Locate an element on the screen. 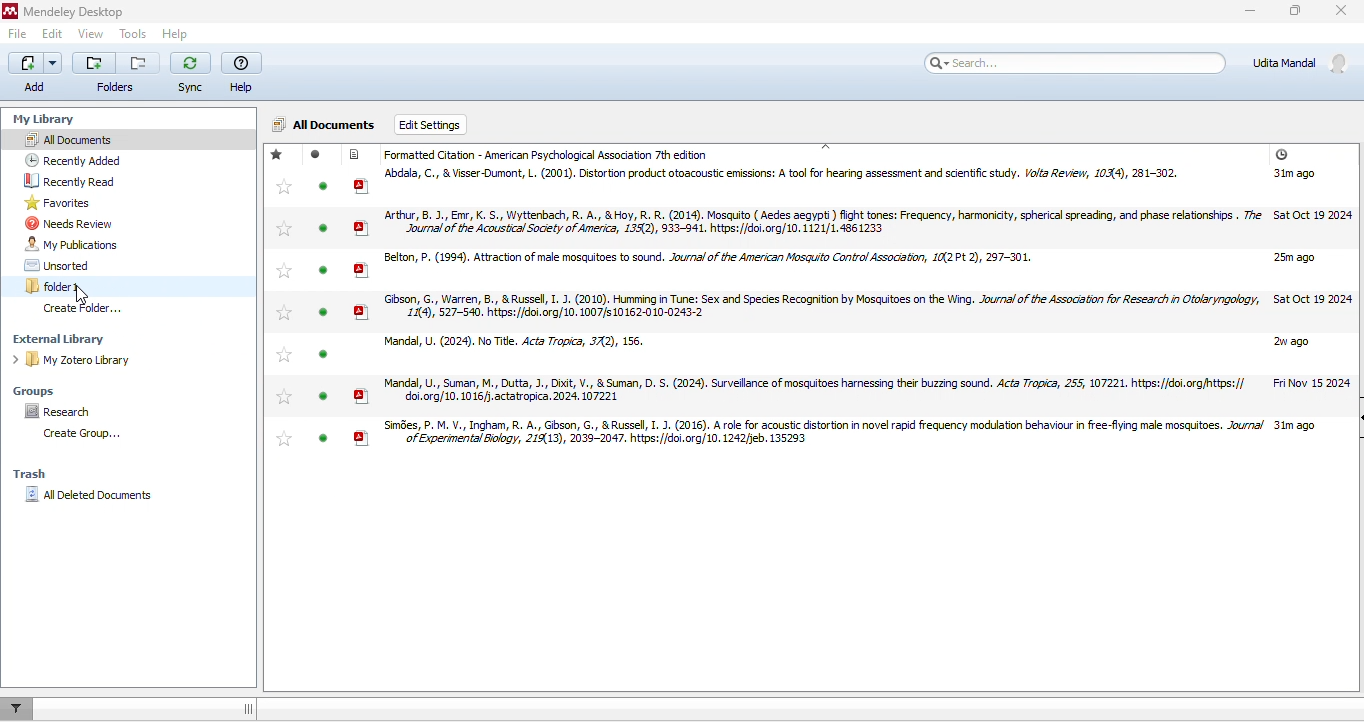  external library is located at coordinates (89, 339).